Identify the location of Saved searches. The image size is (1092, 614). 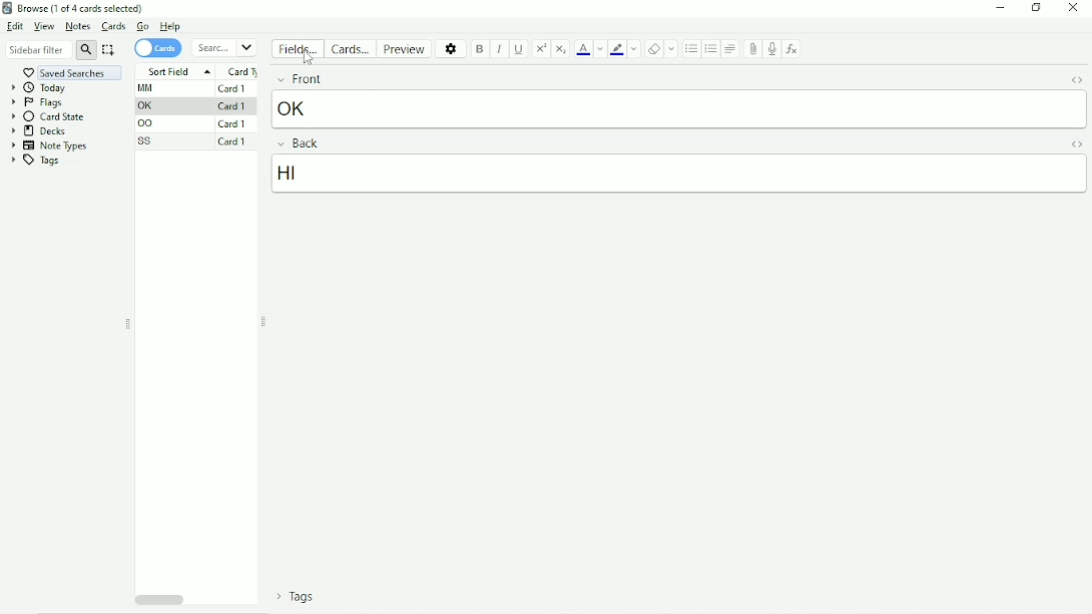
(71, 72).